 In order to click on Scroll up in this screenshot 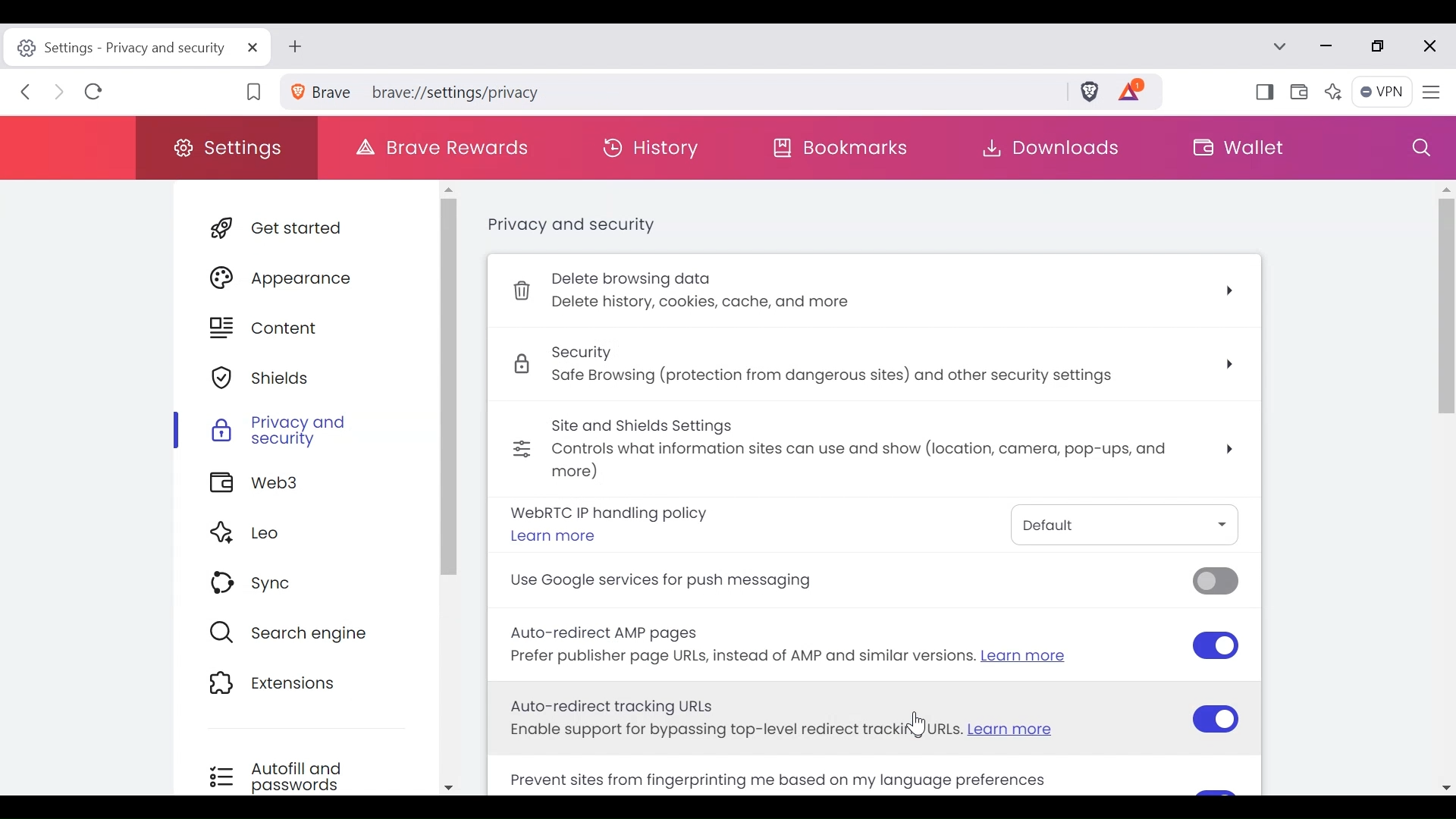, I will do `click(448, 187)`.